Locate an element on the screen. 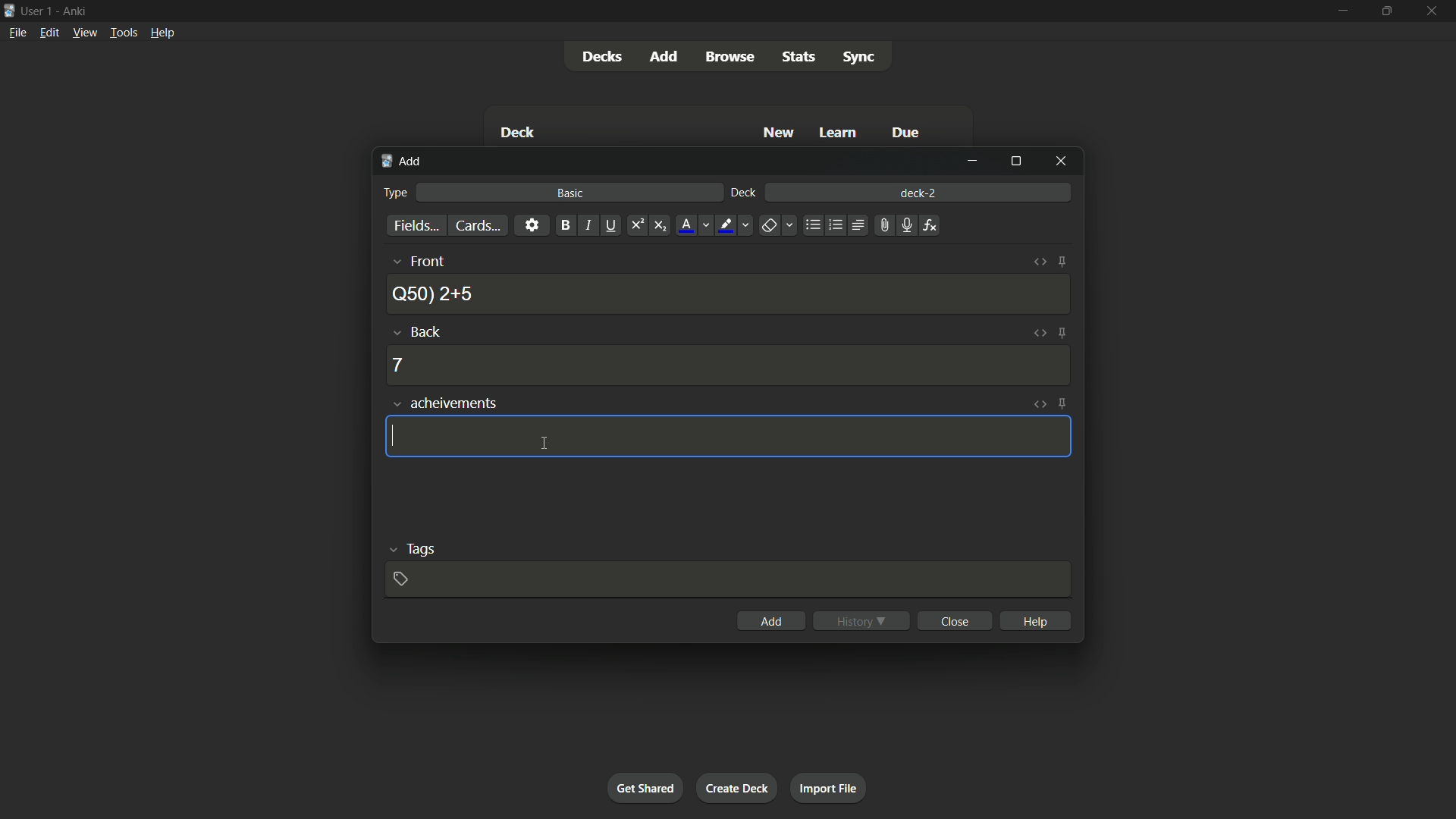  cards is located at coordinates (479, 225).